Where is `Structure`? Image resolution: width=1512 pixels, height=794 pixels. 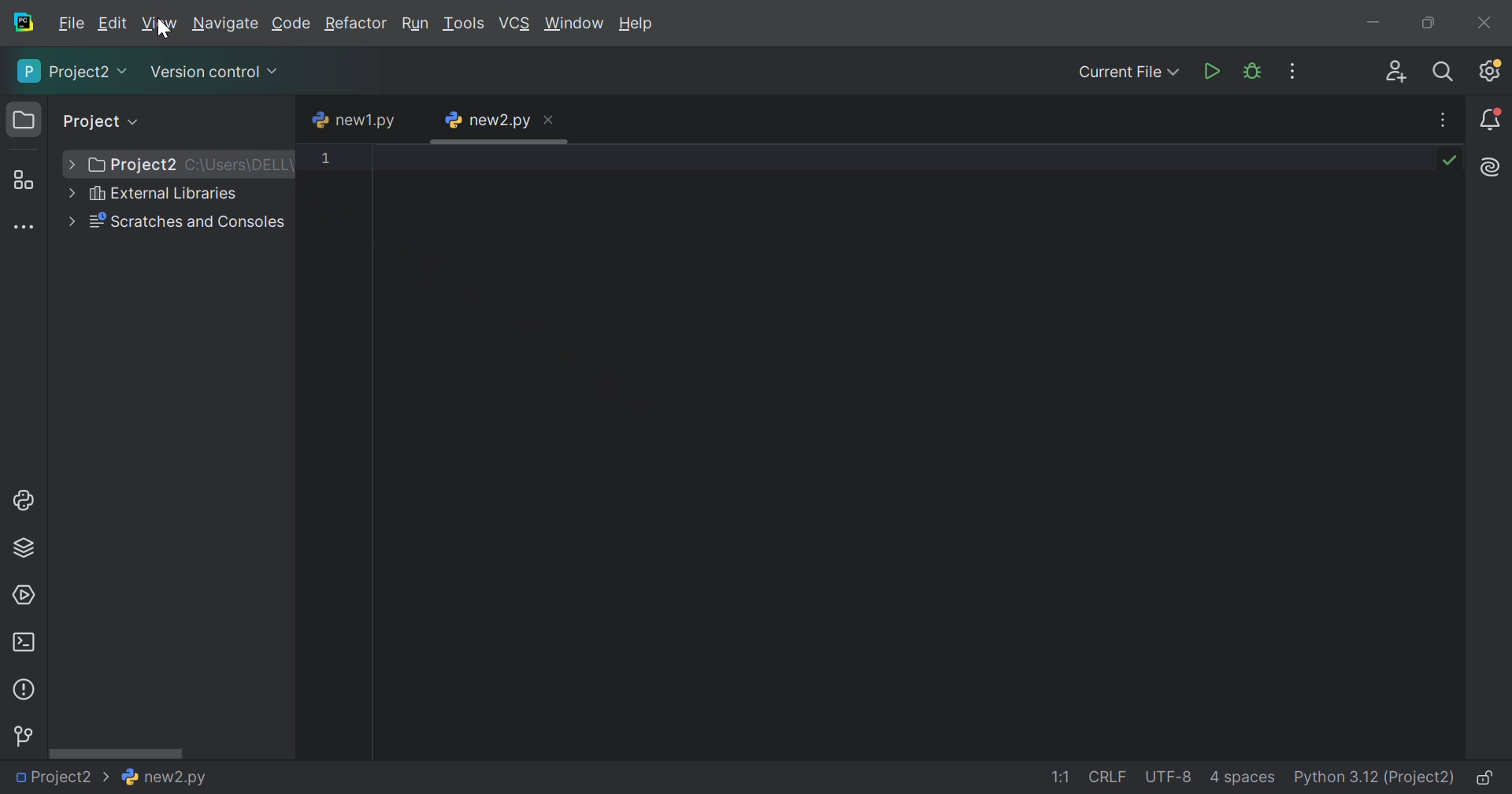 Structure is located at coordinates (22, 180).